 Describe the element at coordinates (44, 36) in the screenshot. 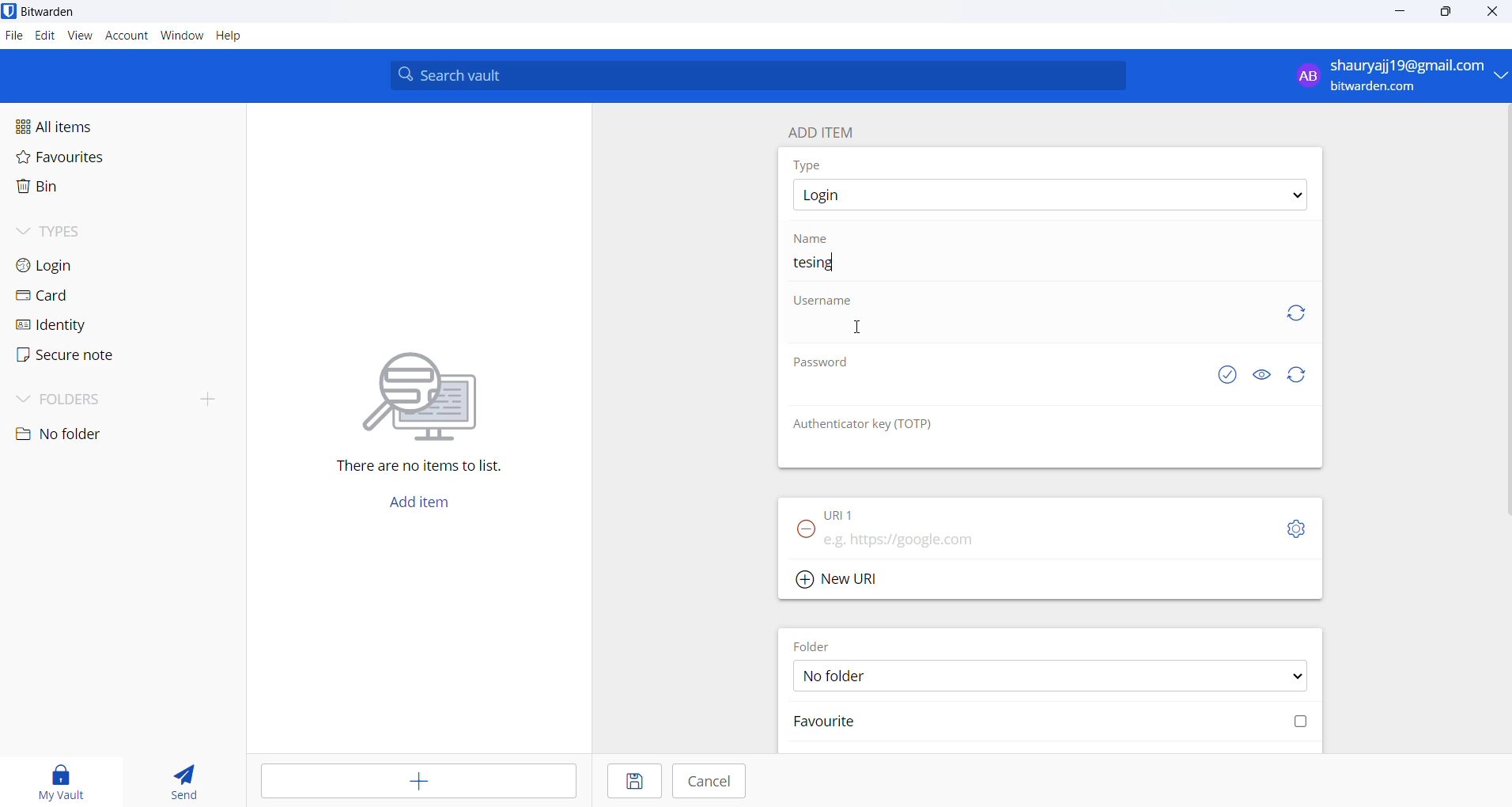

I see `Edit` at that location.